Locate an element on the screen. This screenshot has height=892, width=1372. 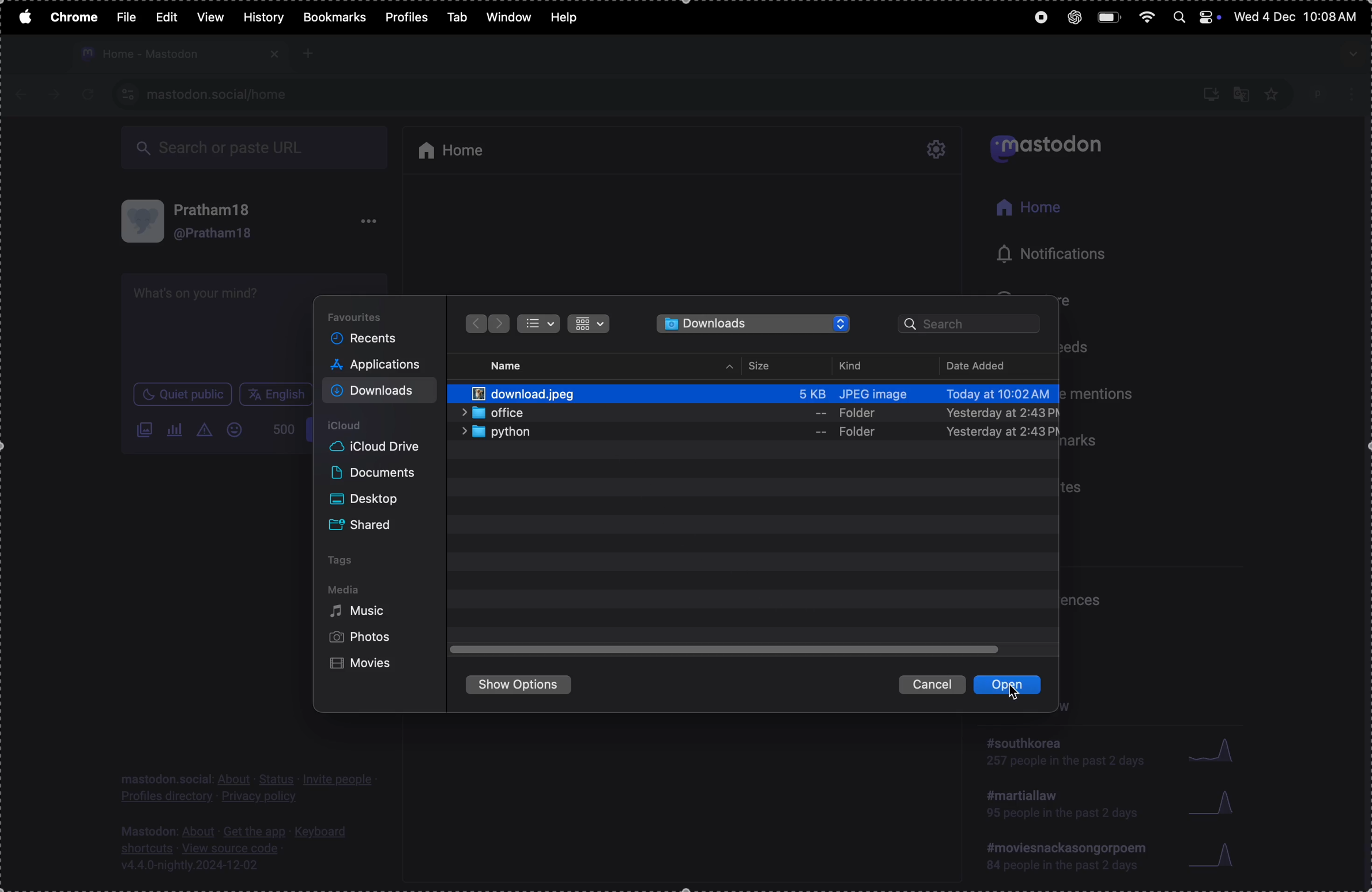
Desktop is located at coordinates (371, 497).